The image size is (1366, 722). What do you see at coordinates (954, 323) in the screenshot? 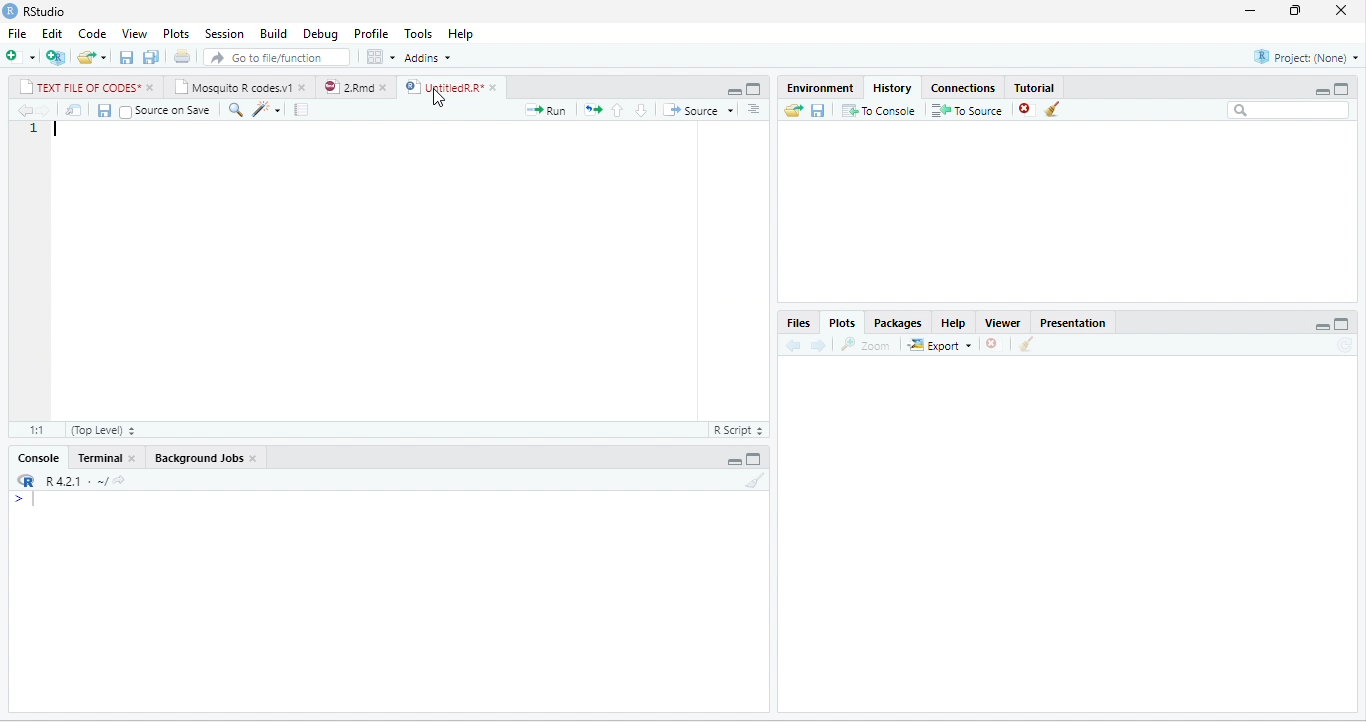
I see `Help` at bounding box center [954, 323].